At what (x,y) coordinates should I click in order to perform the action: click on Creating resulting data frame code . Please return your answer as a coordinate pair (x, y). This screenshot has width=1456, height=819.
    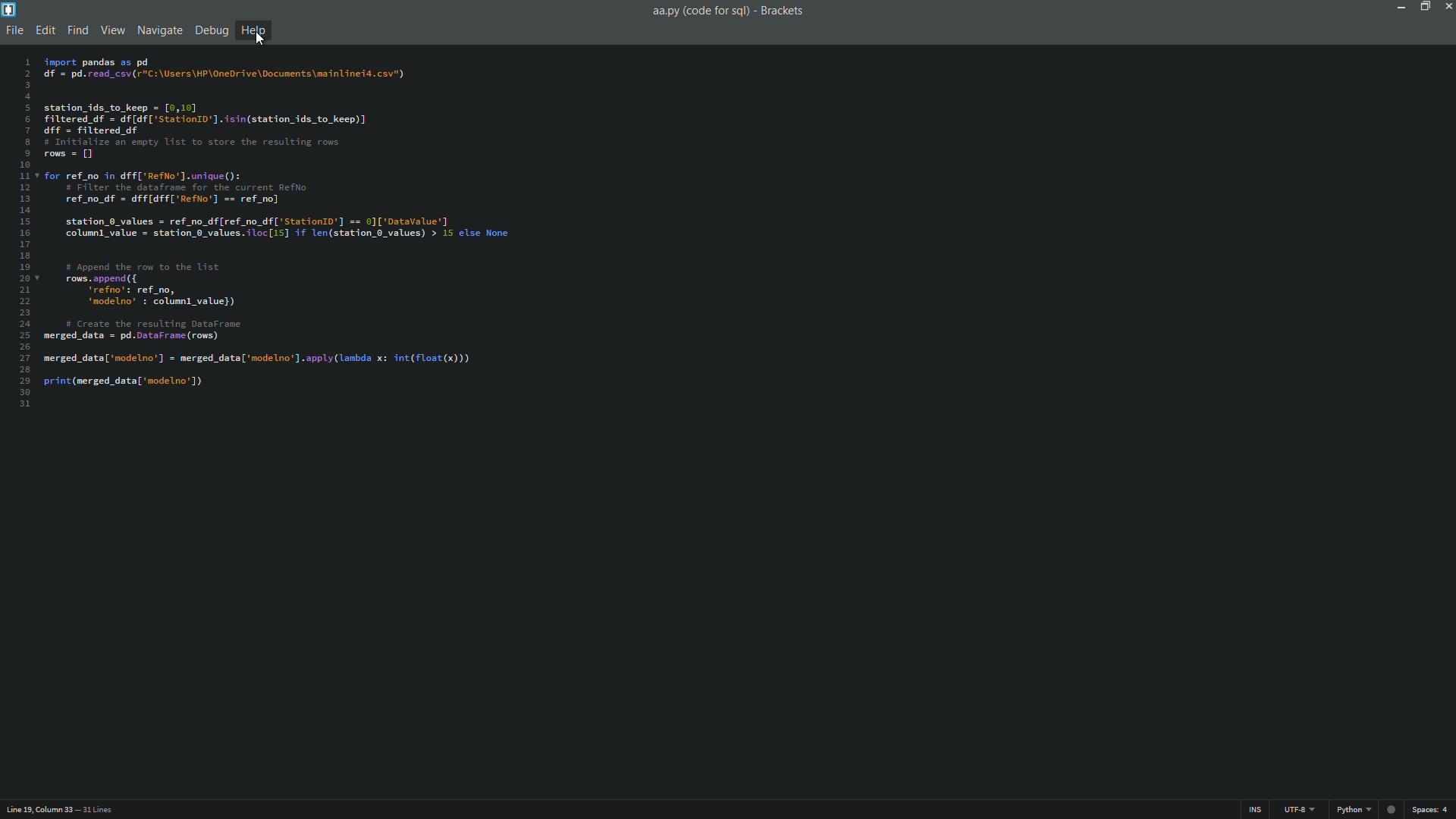
    Looking at the image, I should click on (281, 227).